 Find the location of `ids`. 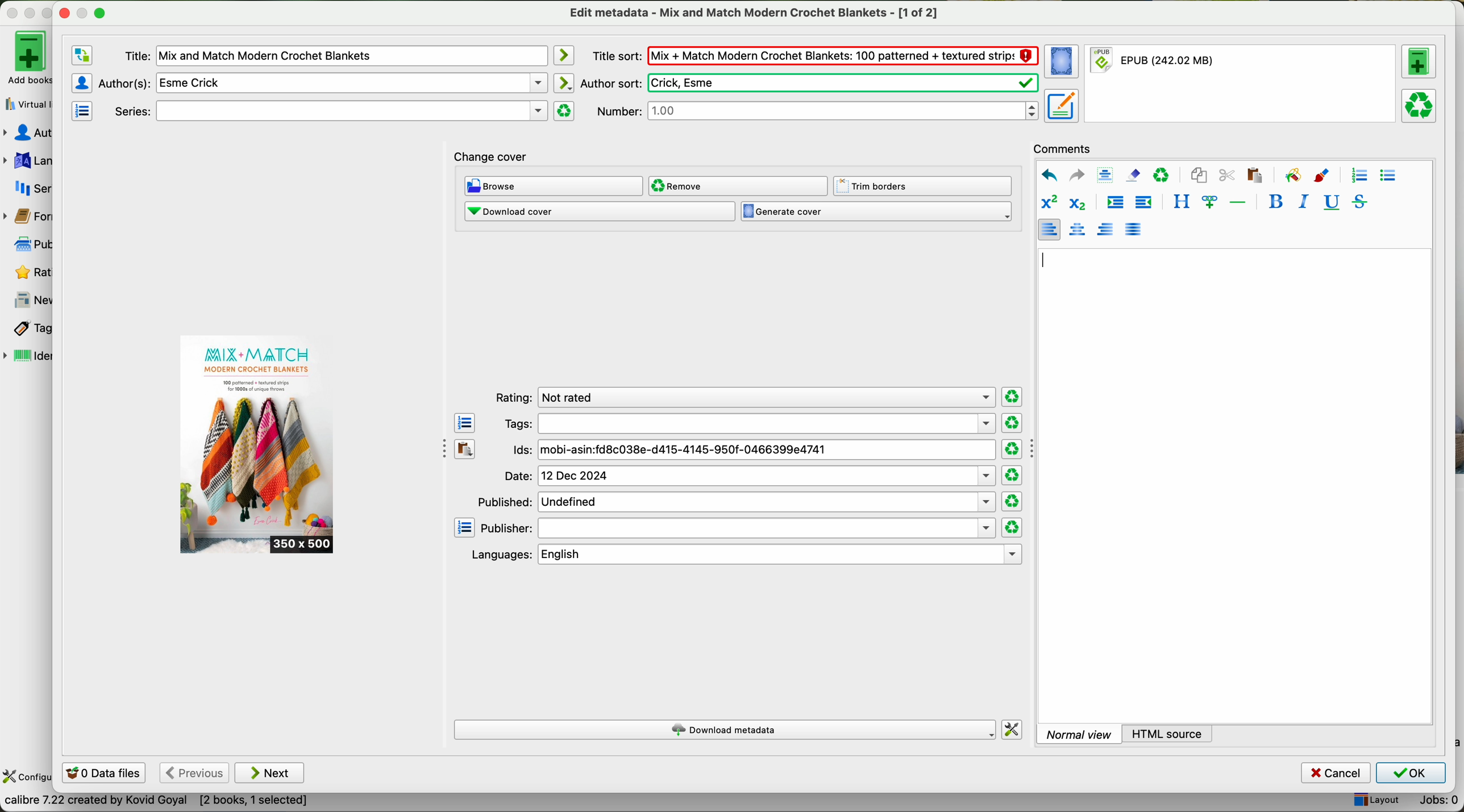

ids is located at coordinates (753, 451).